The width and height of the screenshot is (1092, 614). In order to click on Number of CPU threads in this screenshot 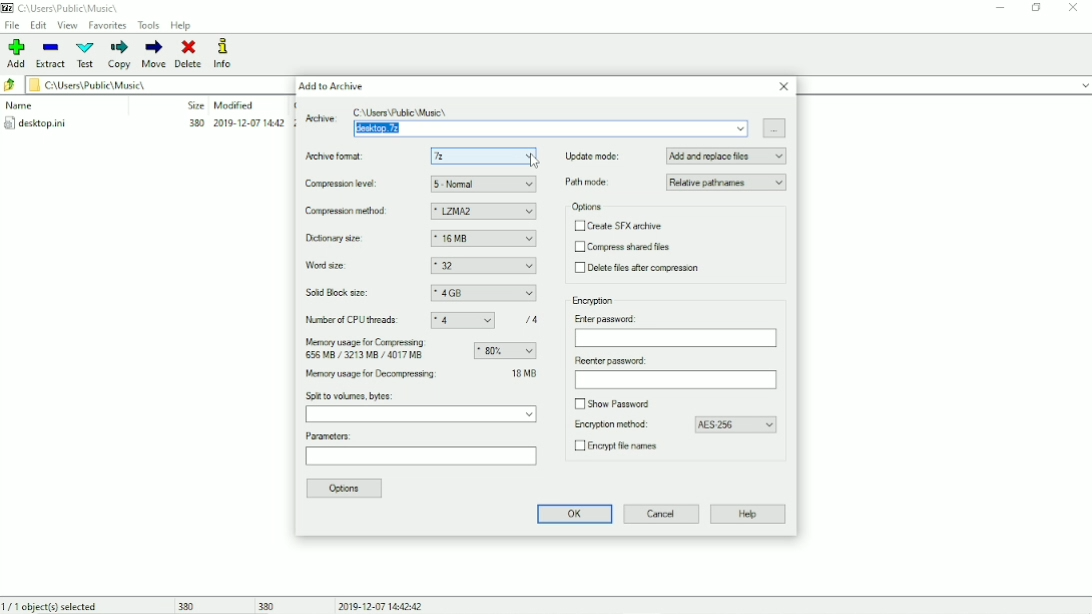, I will do `click(427, 320)`.